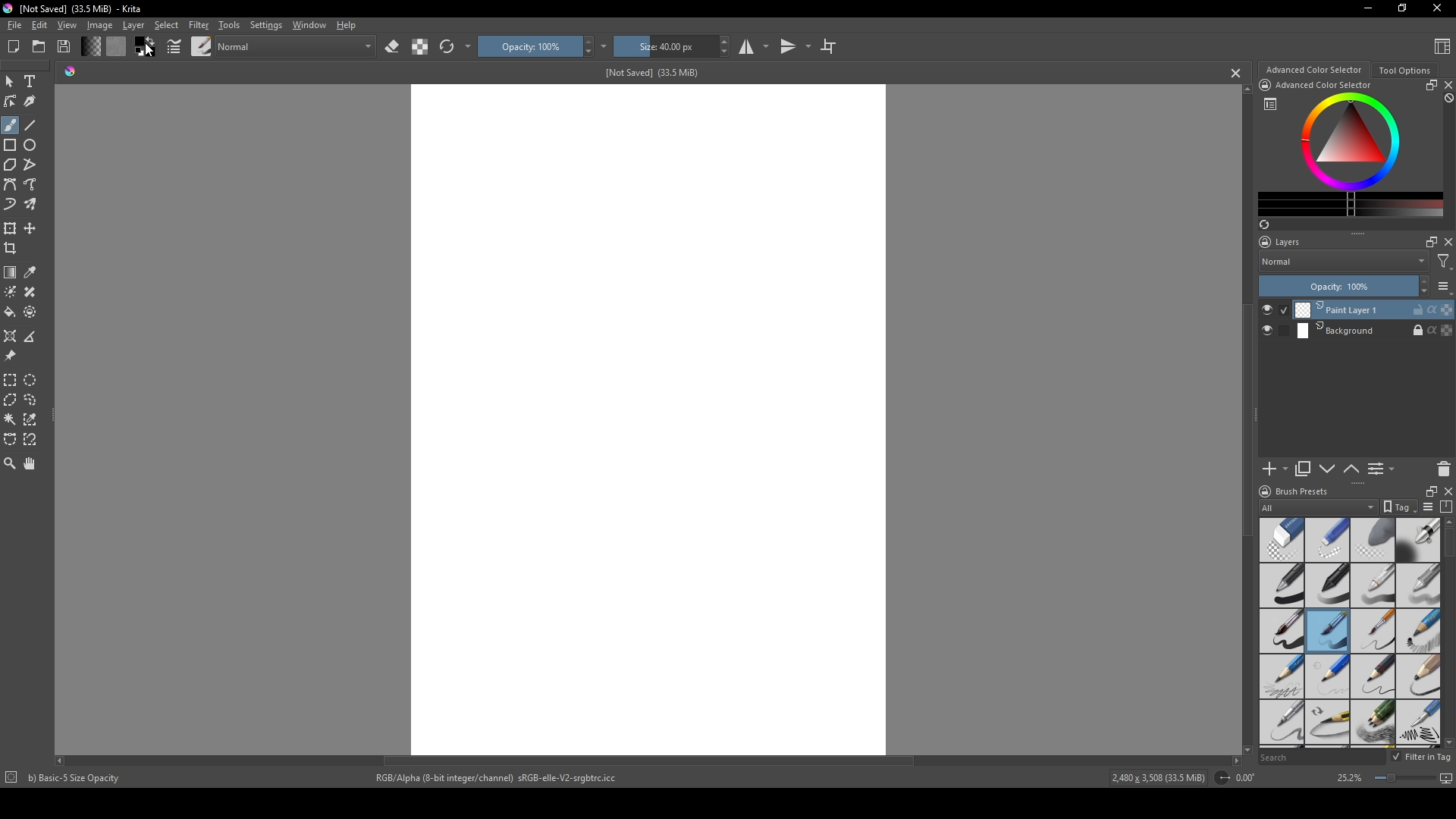 This screenshot has height=819, width=1456. Describe the element at coordinates (1348, 779) in the screenshot. I see `25.2%` at that location.